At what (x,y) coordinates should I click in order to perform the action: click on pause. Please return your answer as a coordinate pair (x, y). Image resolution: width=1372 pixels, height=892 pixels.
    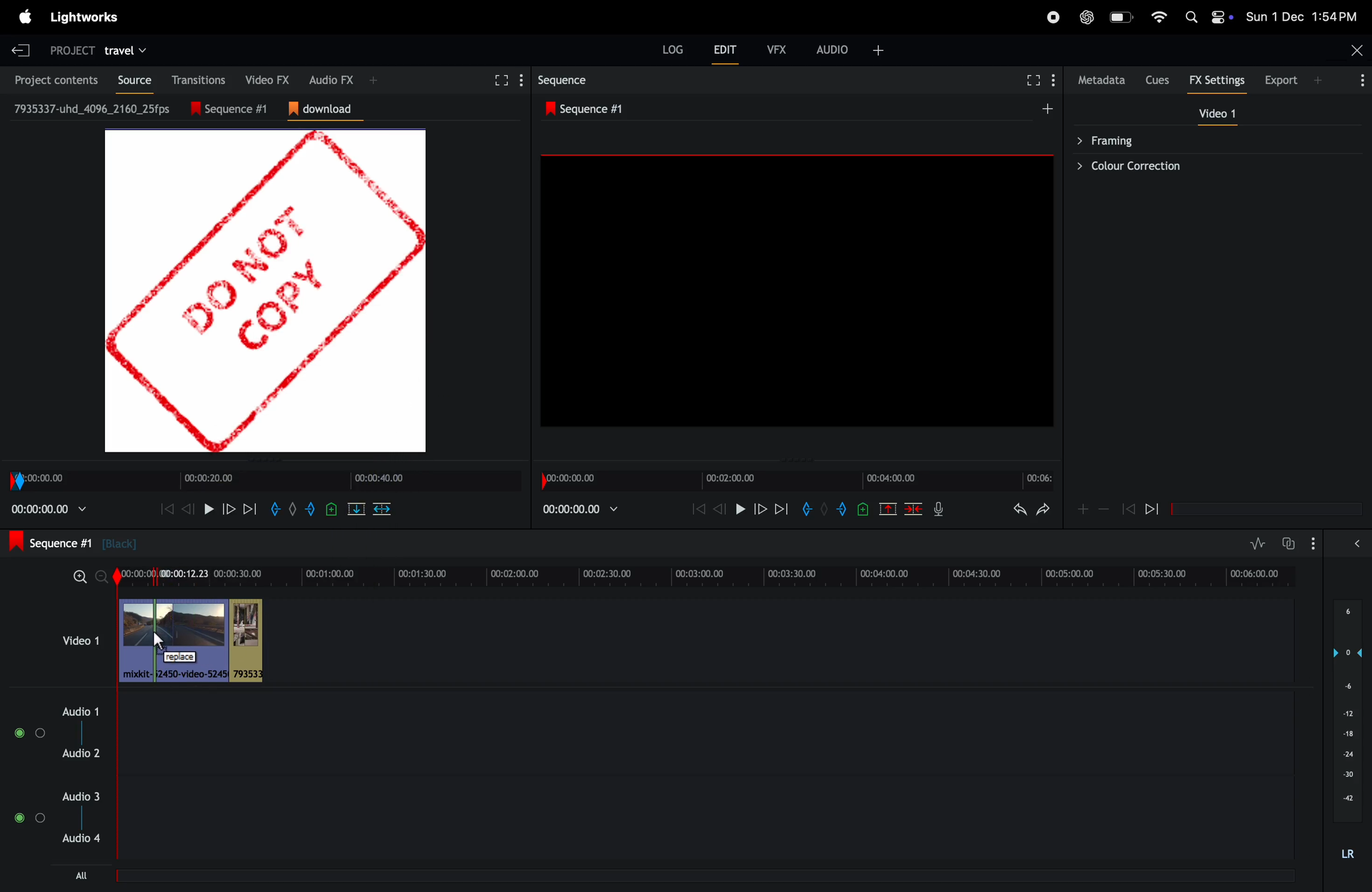
    Looking at the image, I should click on (209, 509).